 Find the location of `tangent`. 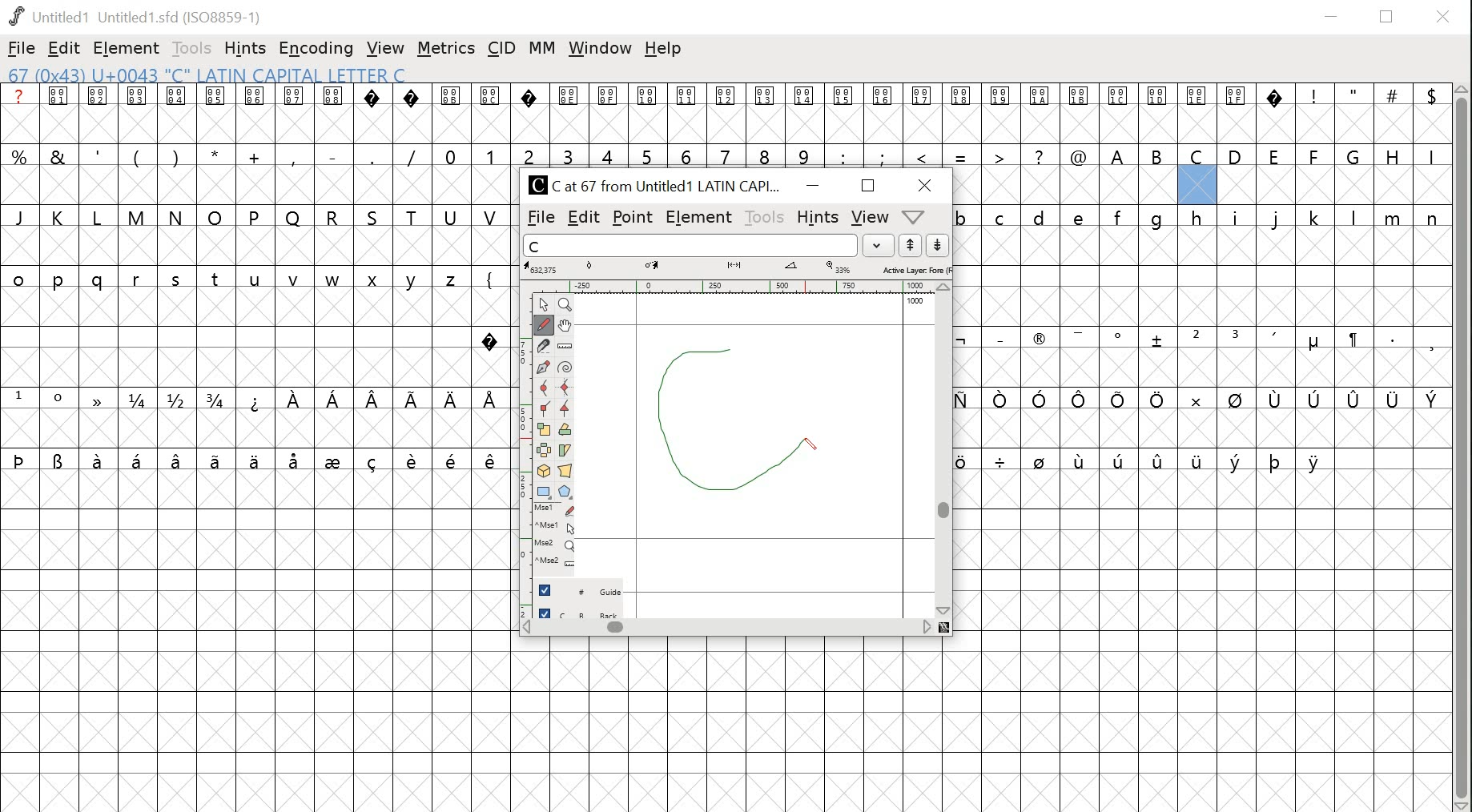

tangent is located at coordinates (566, 411).